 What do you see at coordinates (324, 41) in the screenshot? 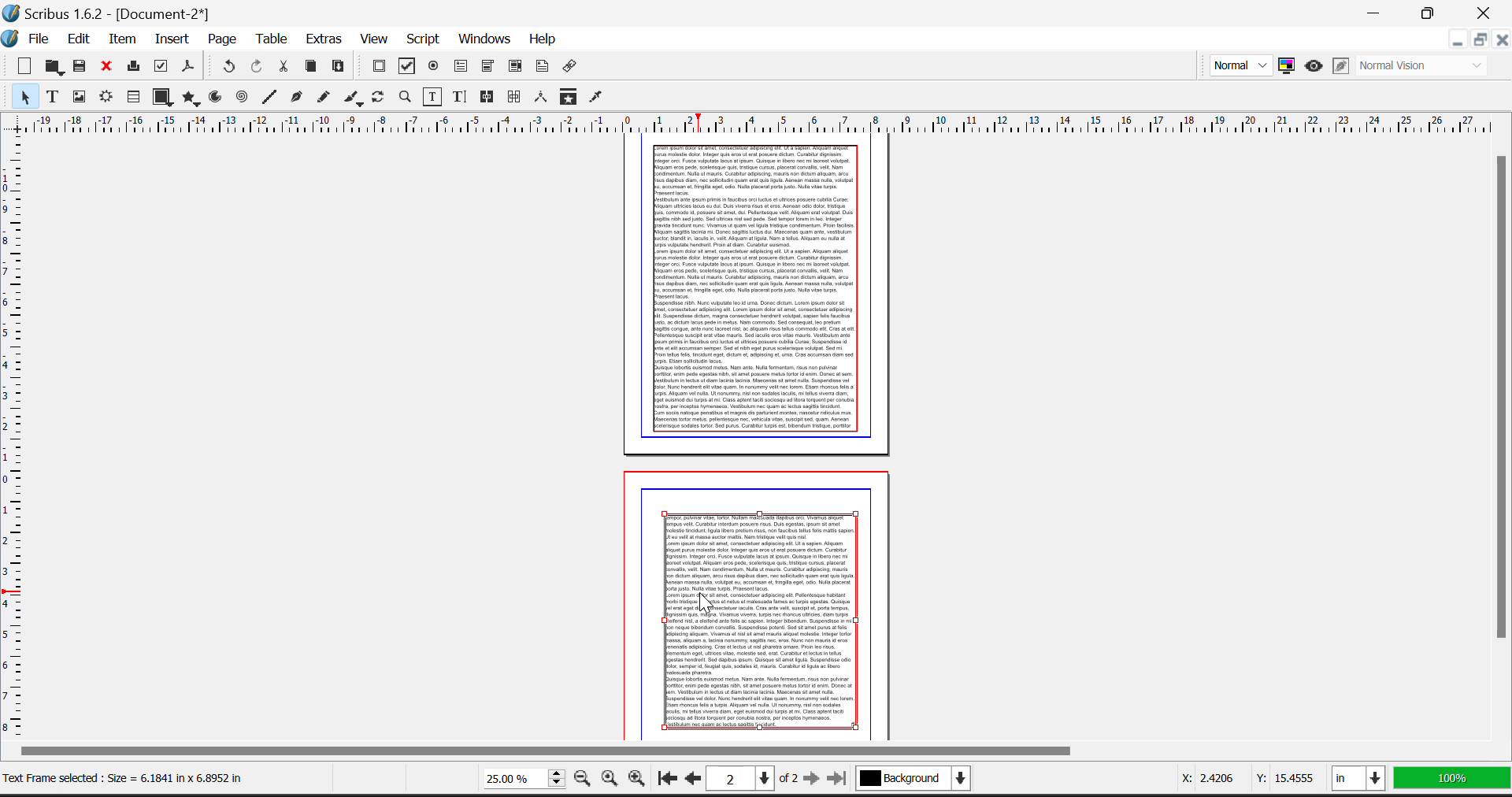
I see `Extras` at bounding box center [324, 41].